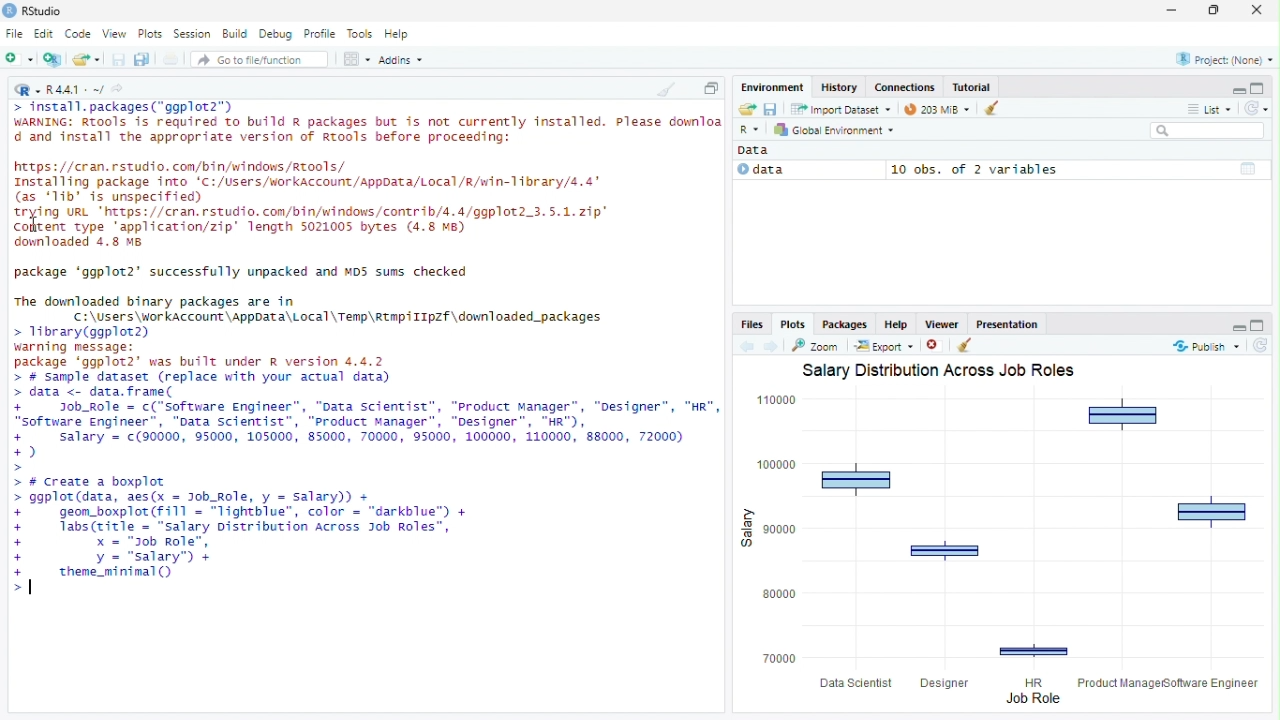 Image resolution: width=1280 pixels, height=720 pixels. I want to click on 10 obs, of 2 variables, so click(1077, 169).